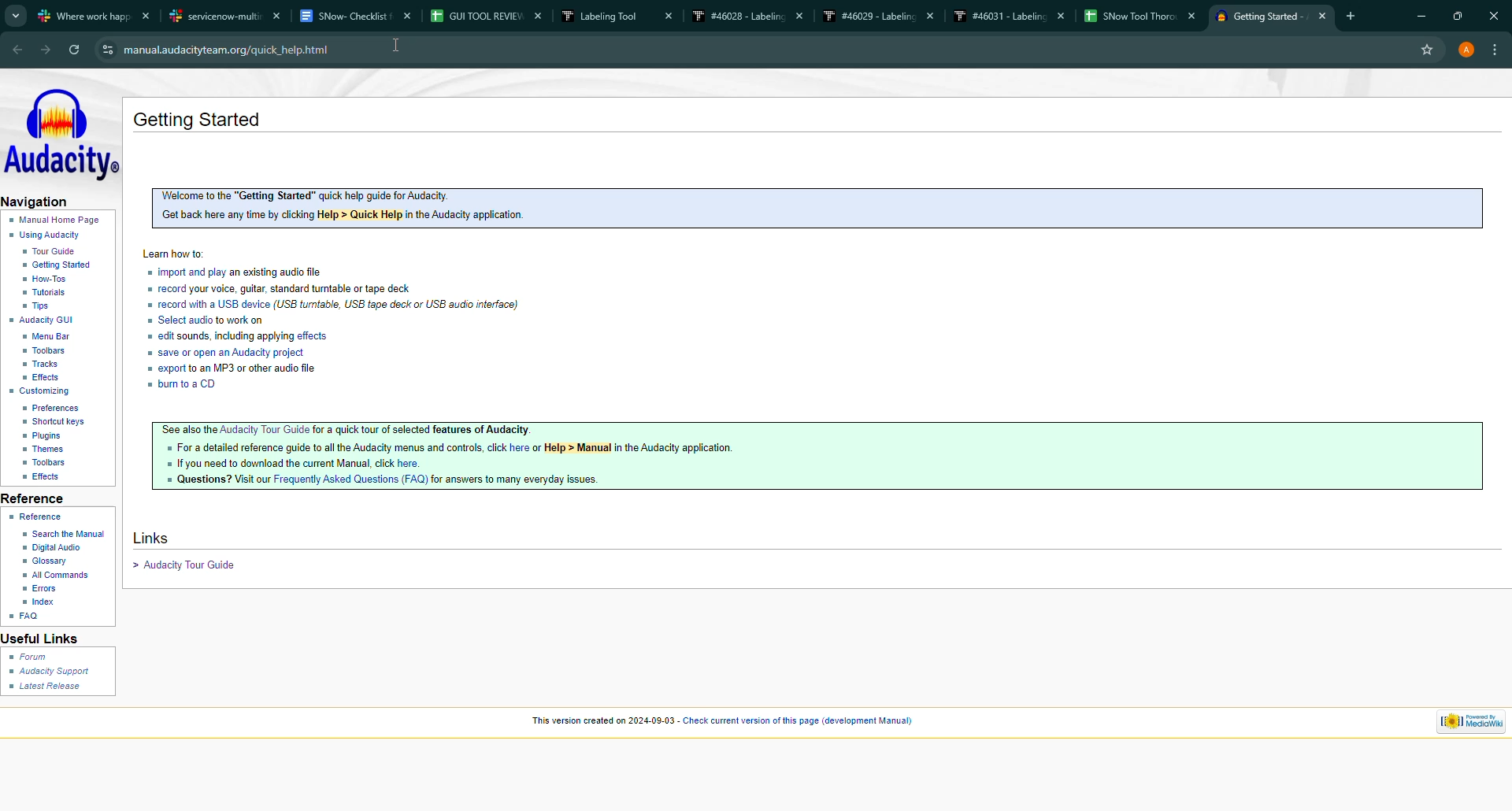 The width and height of the screenshot is (1512, 811). Describe the element at coordinates (340, 206) in the screenshot. I see `Welcome to the "Getting Started” quick help guide for Audacity.
Get back here any time by clicking Help > Quick Help in the Audacity application.` at that location.